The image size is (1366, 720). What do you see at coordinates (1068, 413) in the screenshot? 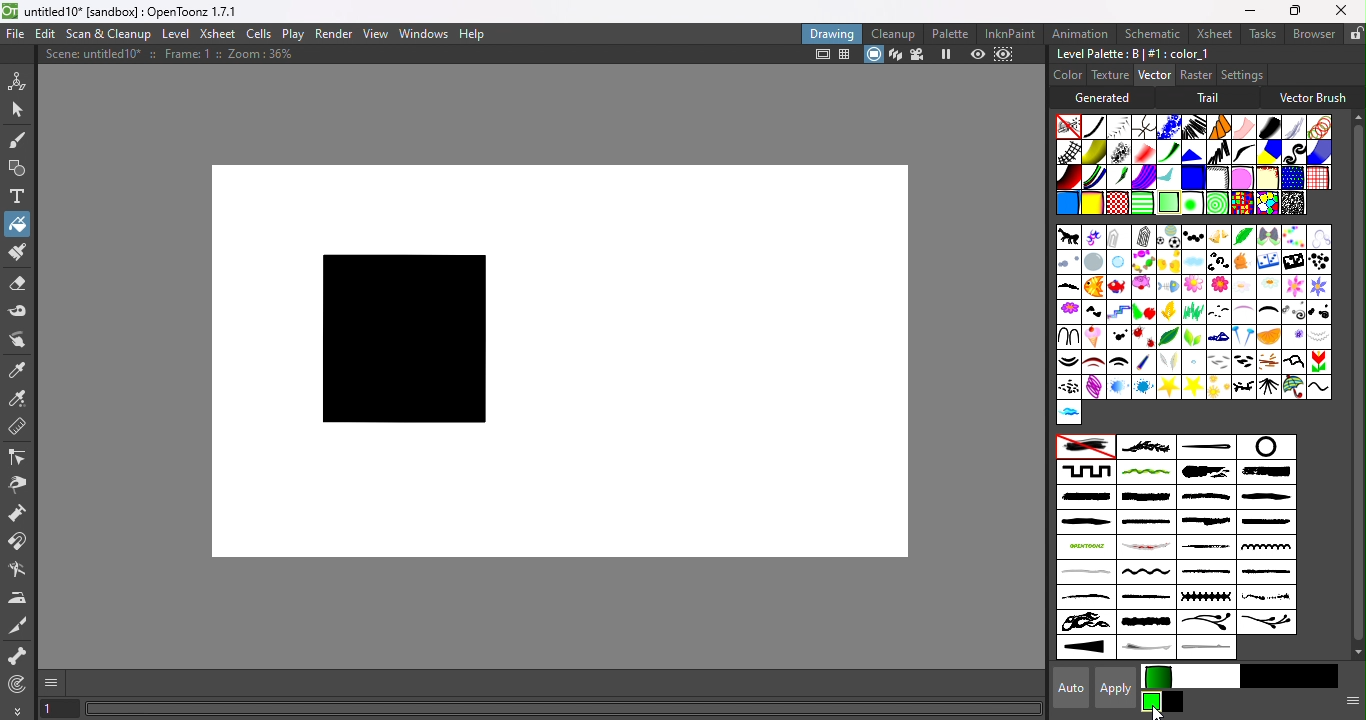
I see `Wave2` at bounding box center [1068, 413].